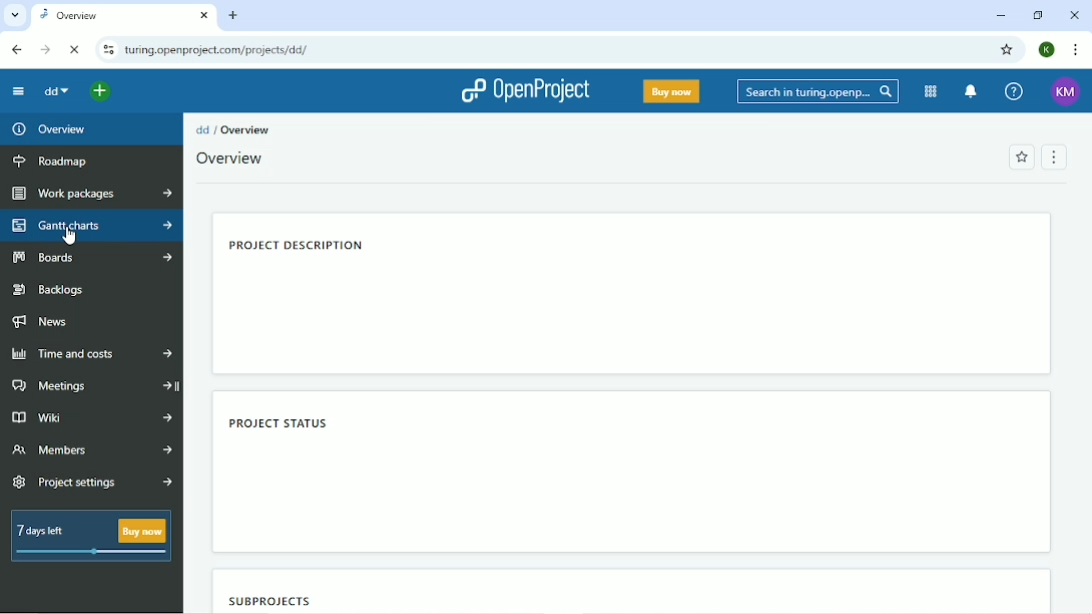  What do you see at coordinates (19, 50) in the screenshot?
I see `Back` at bounding box center [19, 50].